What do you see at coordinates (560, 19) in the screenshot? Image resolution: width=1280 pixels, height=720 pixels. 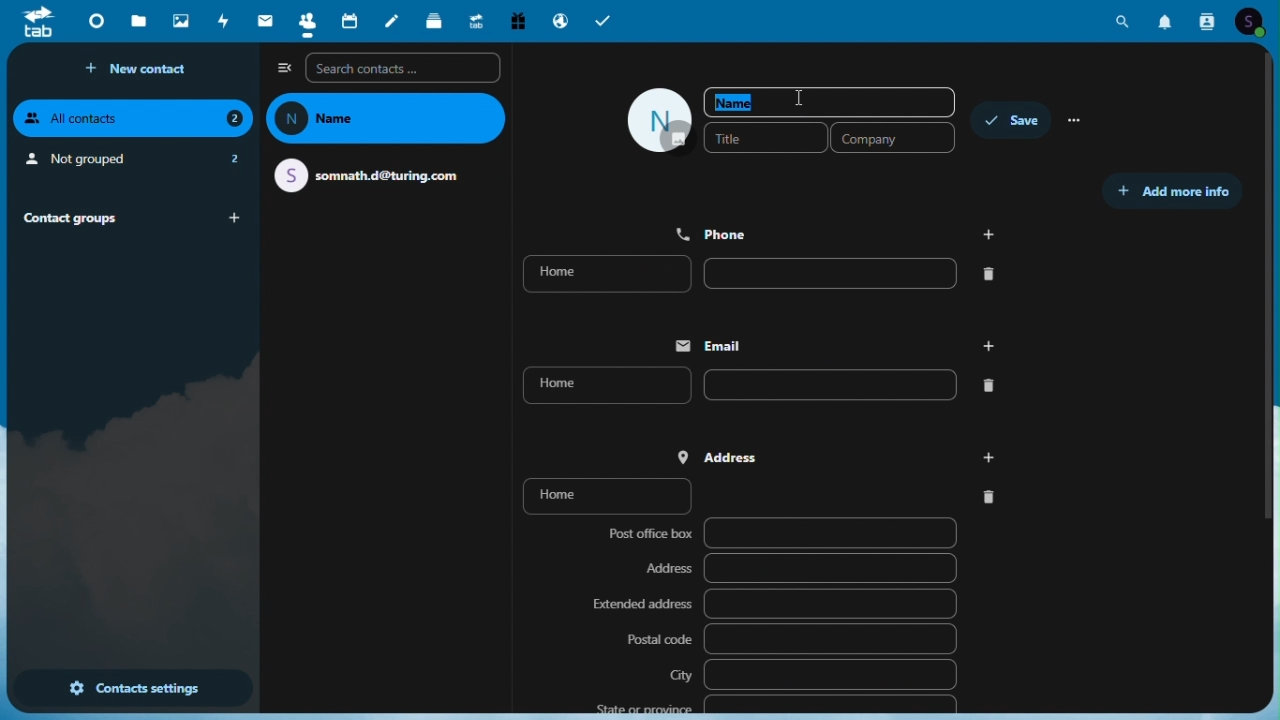 I see `Email hosting` at bounding box center [560, 19].